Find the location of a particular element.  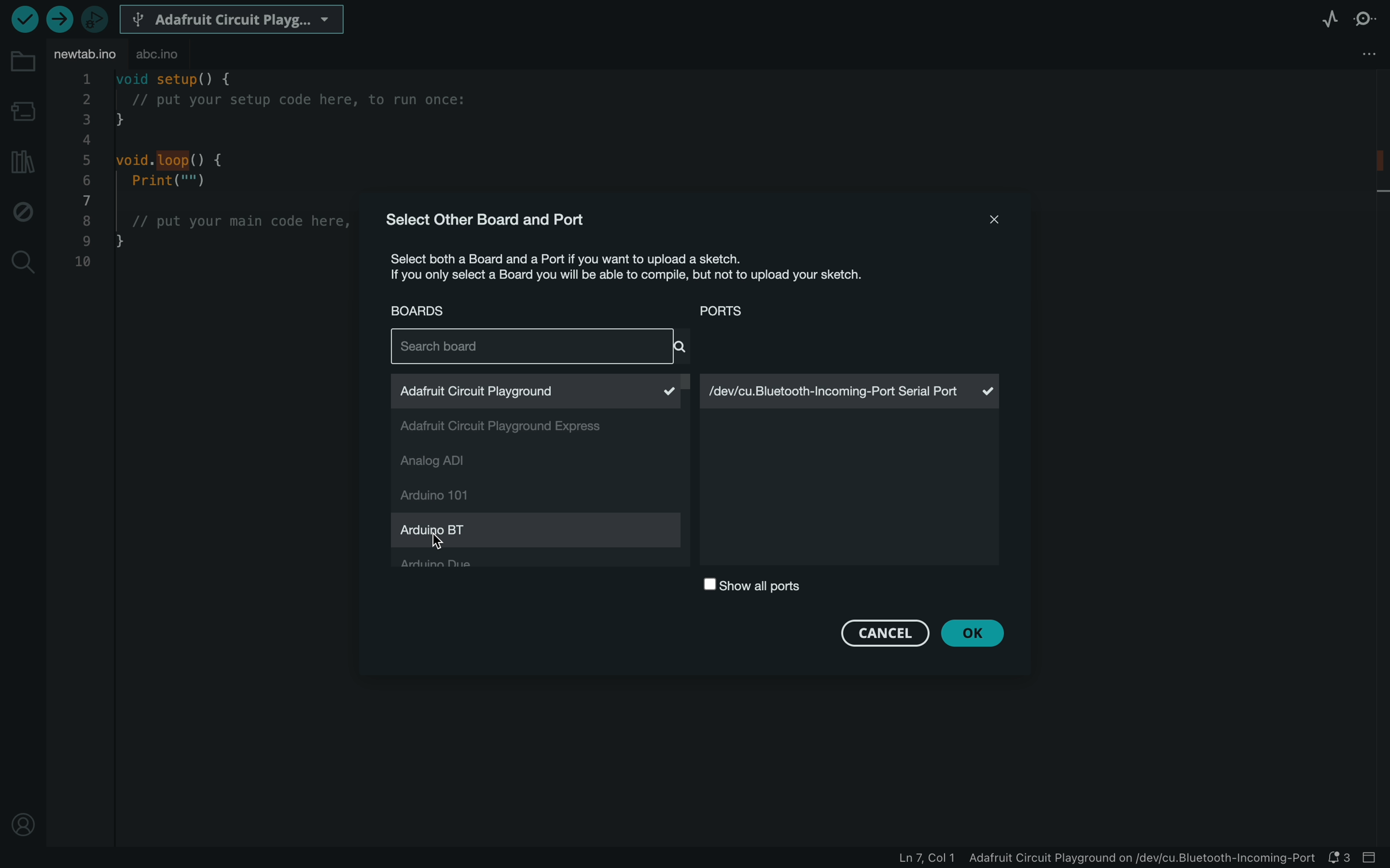

debugger is located at coordinates (93, 18).